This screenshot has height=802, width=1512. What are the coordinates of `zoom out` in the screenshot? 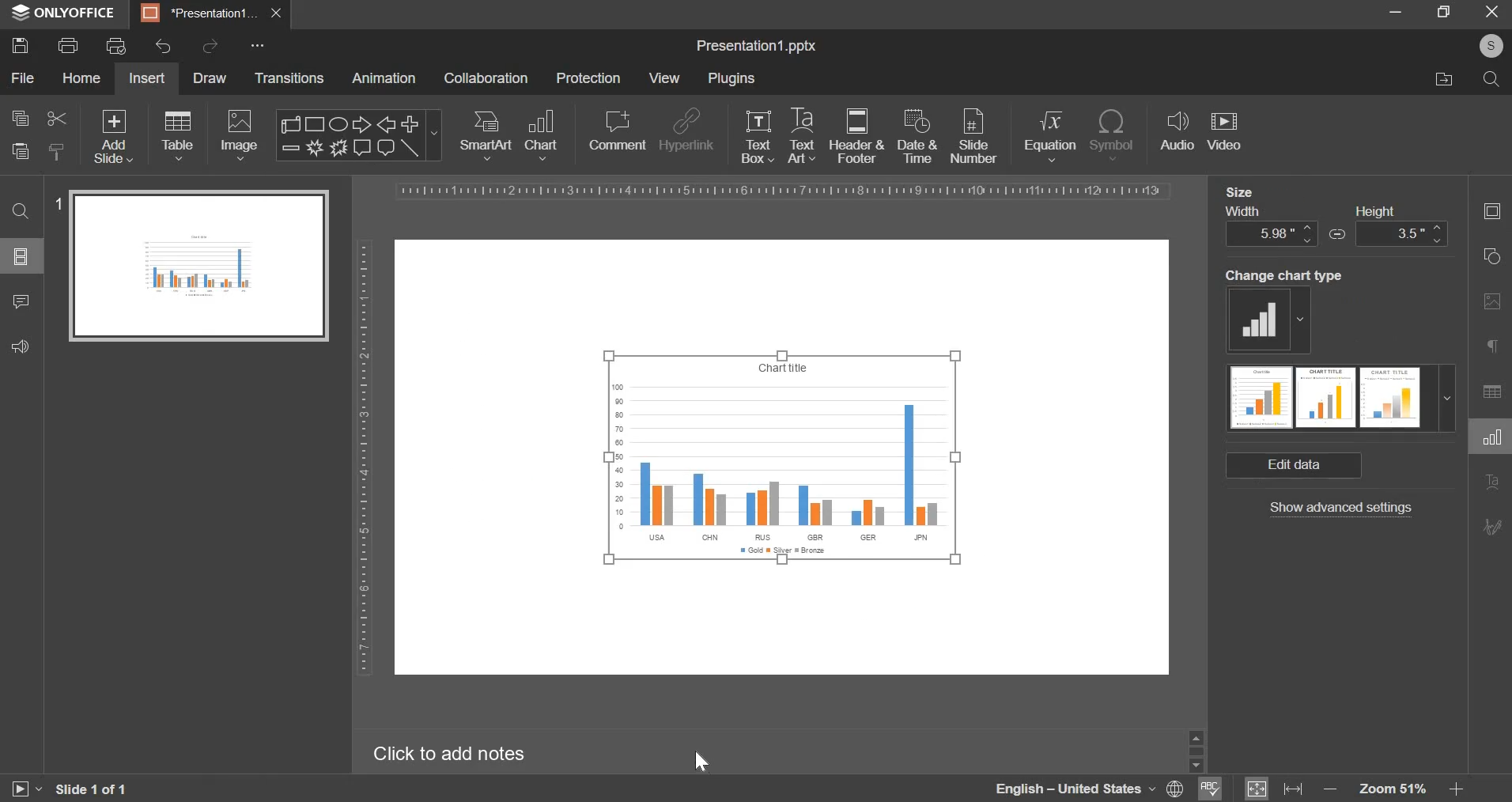 It's located at (1327, 787).